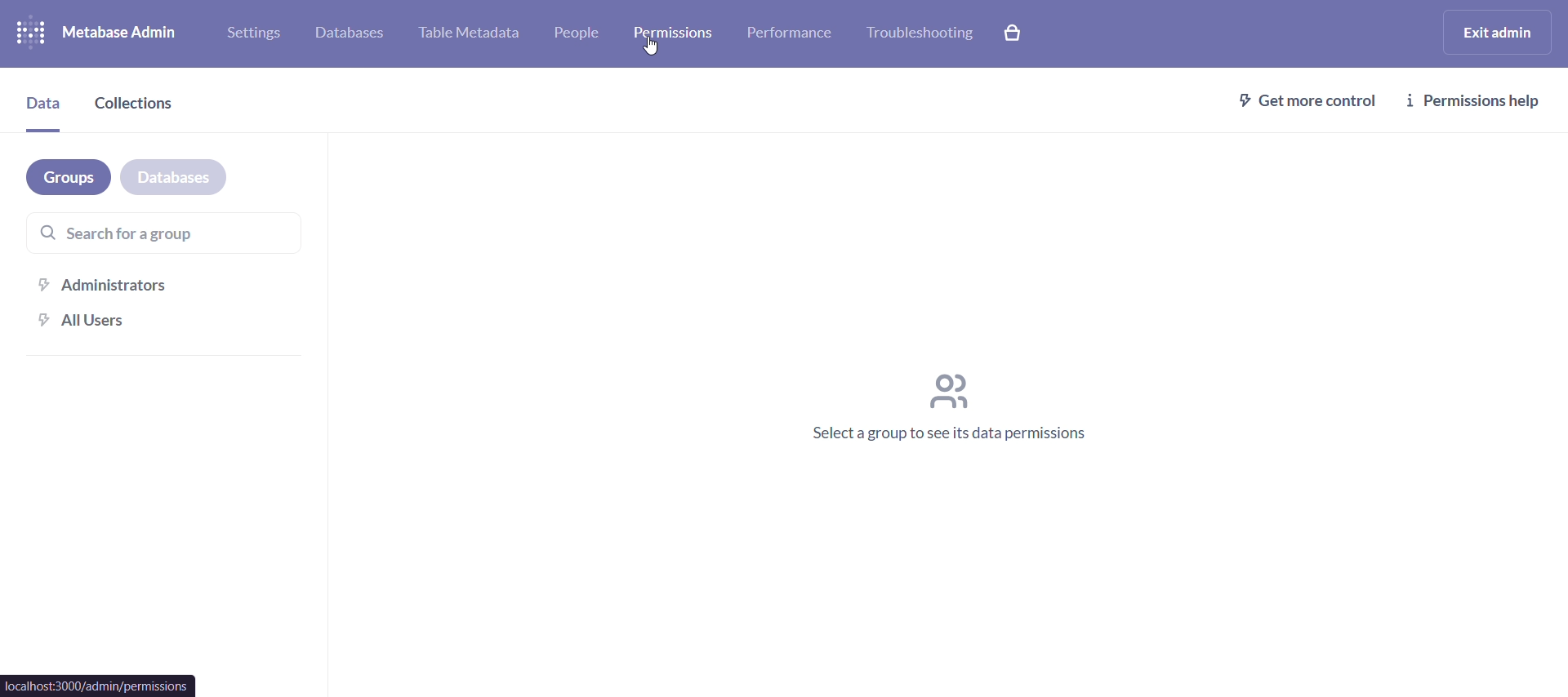  Describe the element at coordinates (468, 33) in the screenshot. I see `table metadata` at that location.